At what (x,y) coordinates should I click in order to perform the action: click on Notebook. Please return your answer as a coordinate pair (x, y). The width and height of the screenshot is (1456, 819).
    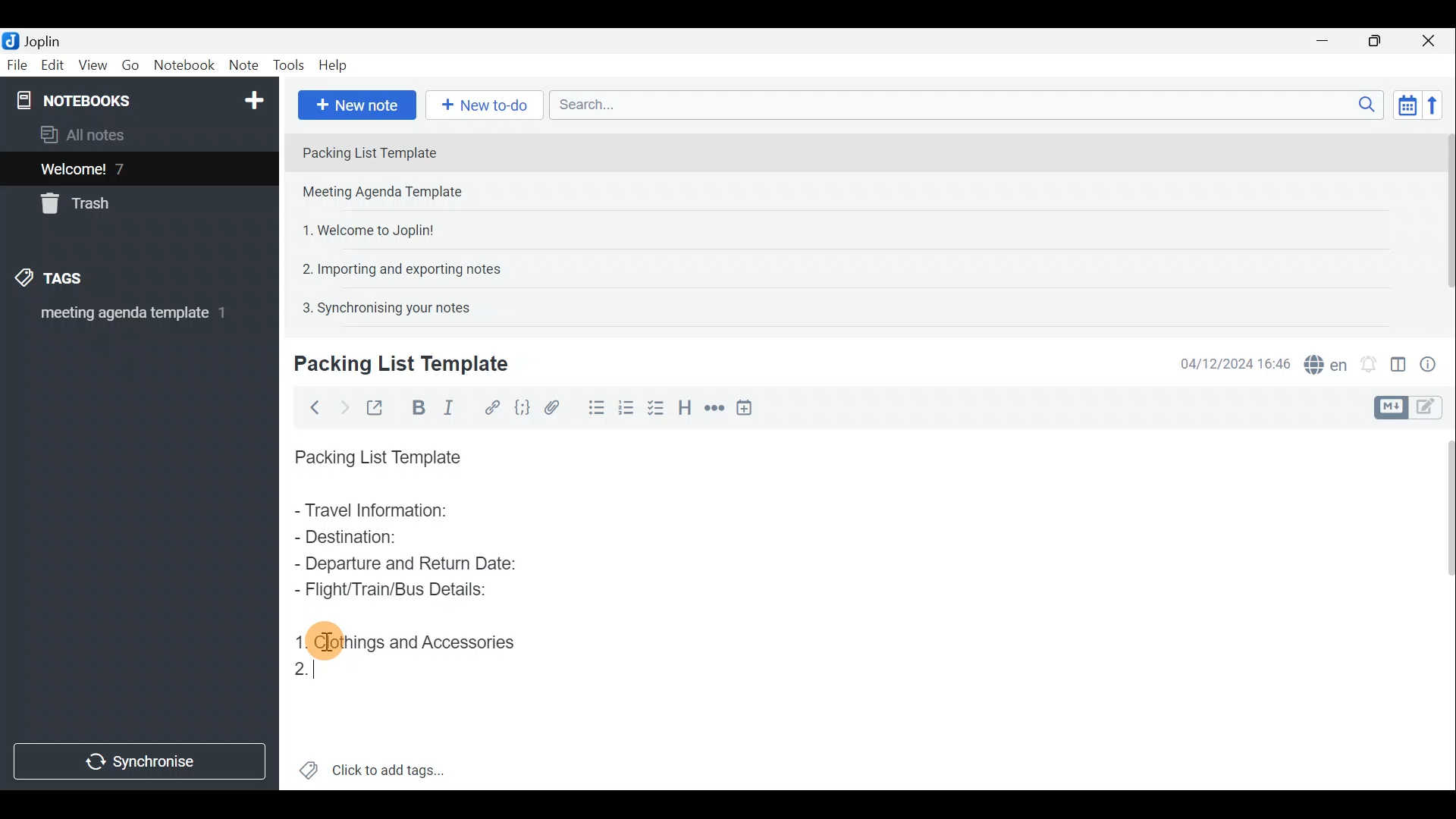
    Looking at the image, I should click on (184, 67).